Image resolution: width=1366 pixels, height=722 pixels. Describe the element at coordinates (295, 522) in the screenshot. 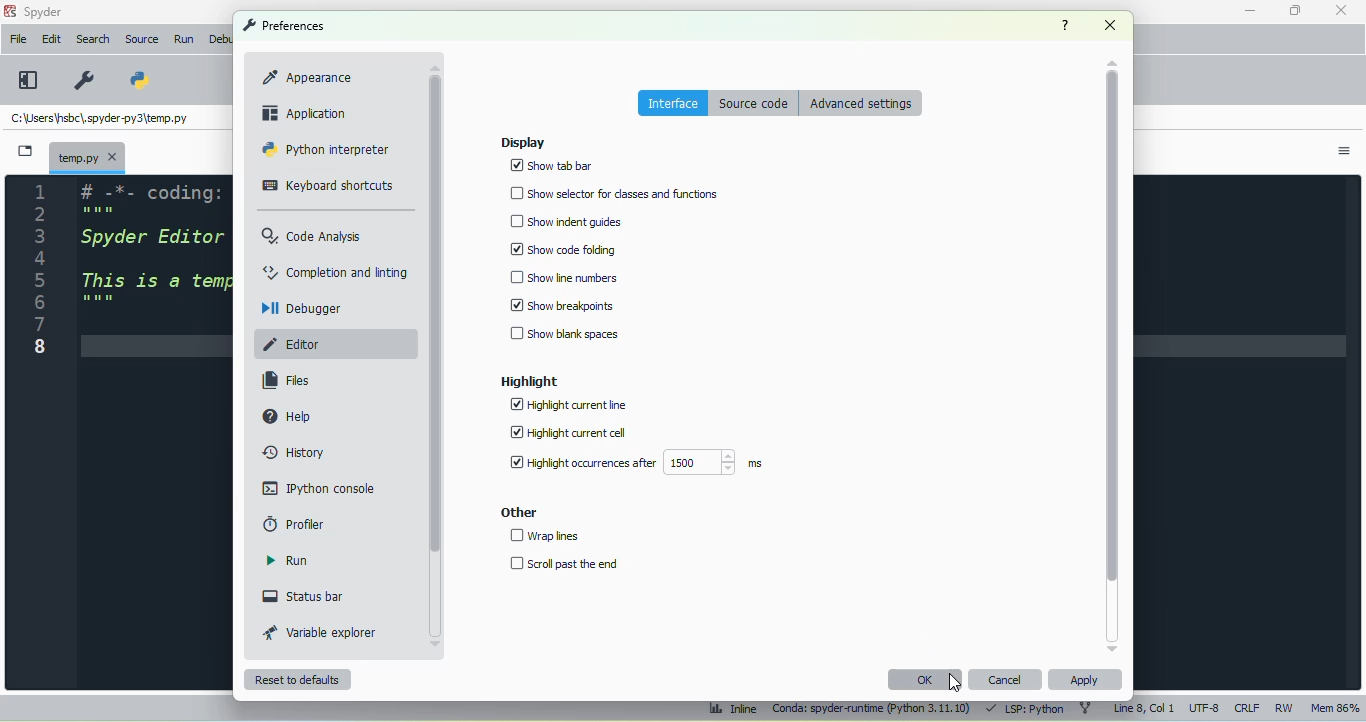

I see `profiler` at that location.